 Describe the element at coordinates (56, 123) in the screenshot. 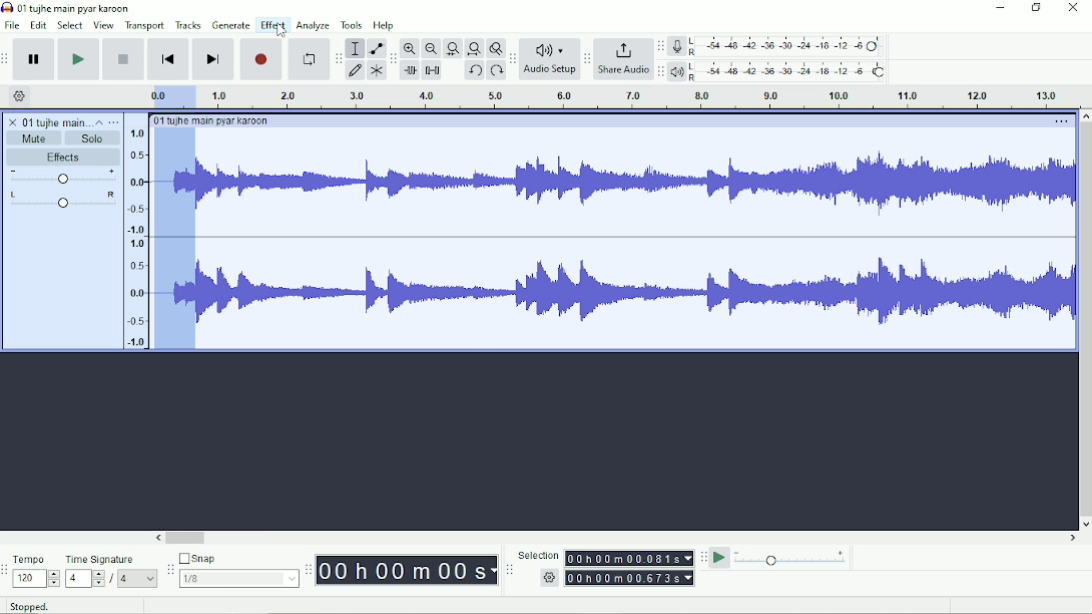

I see `01 tujhe main` at that location.